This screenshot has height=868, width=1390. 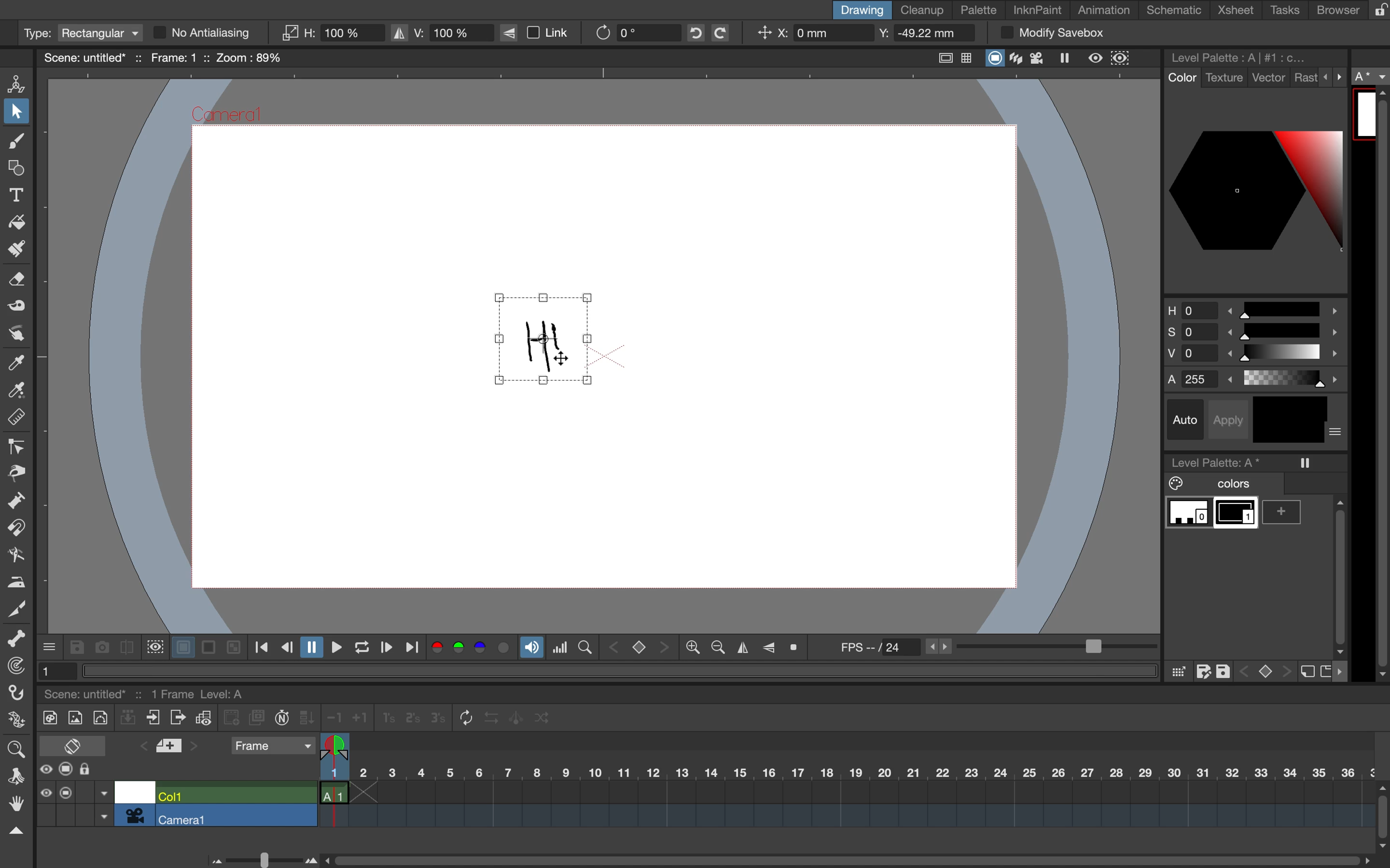 I want to click on flip horizontally, so click(x=740, y=648).